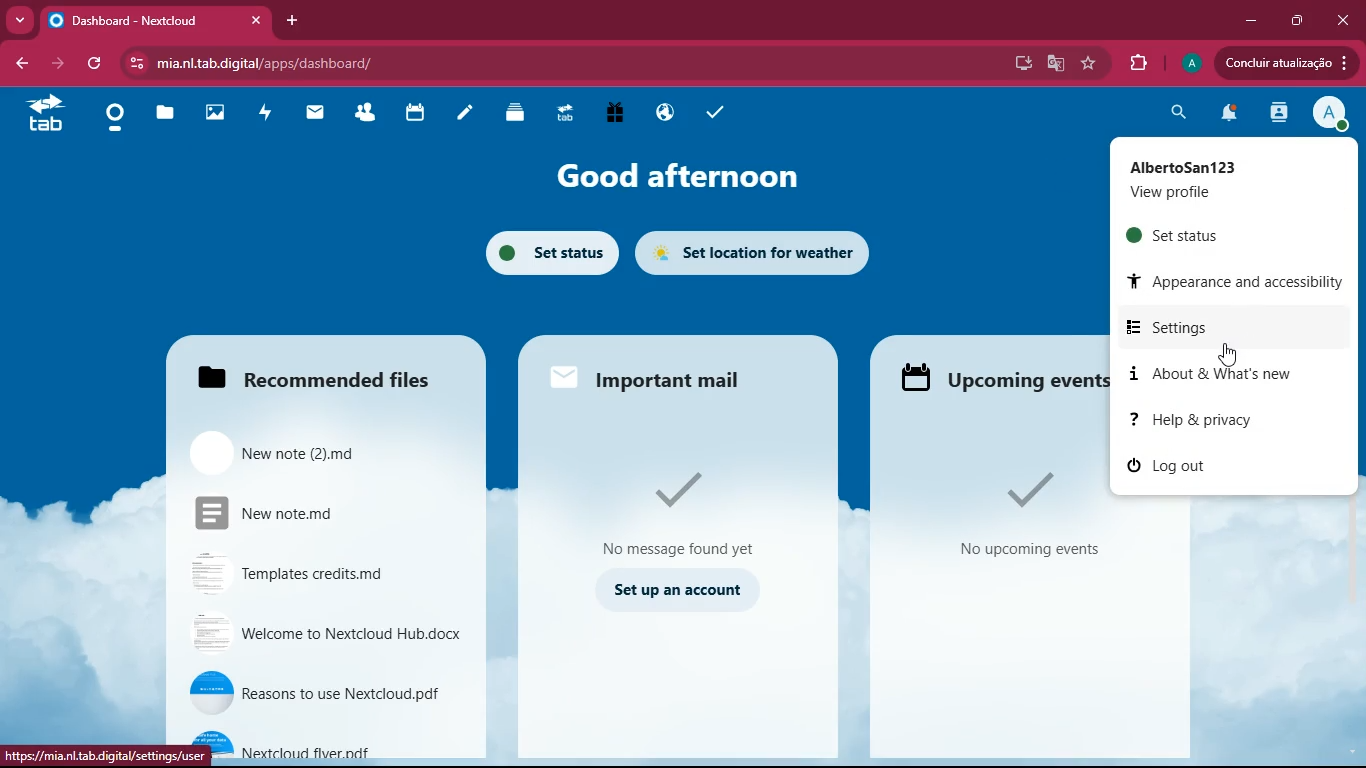 The height and width of the screenshot is (768, 1366). I want to click on about & what's new, so click(1240, 375).